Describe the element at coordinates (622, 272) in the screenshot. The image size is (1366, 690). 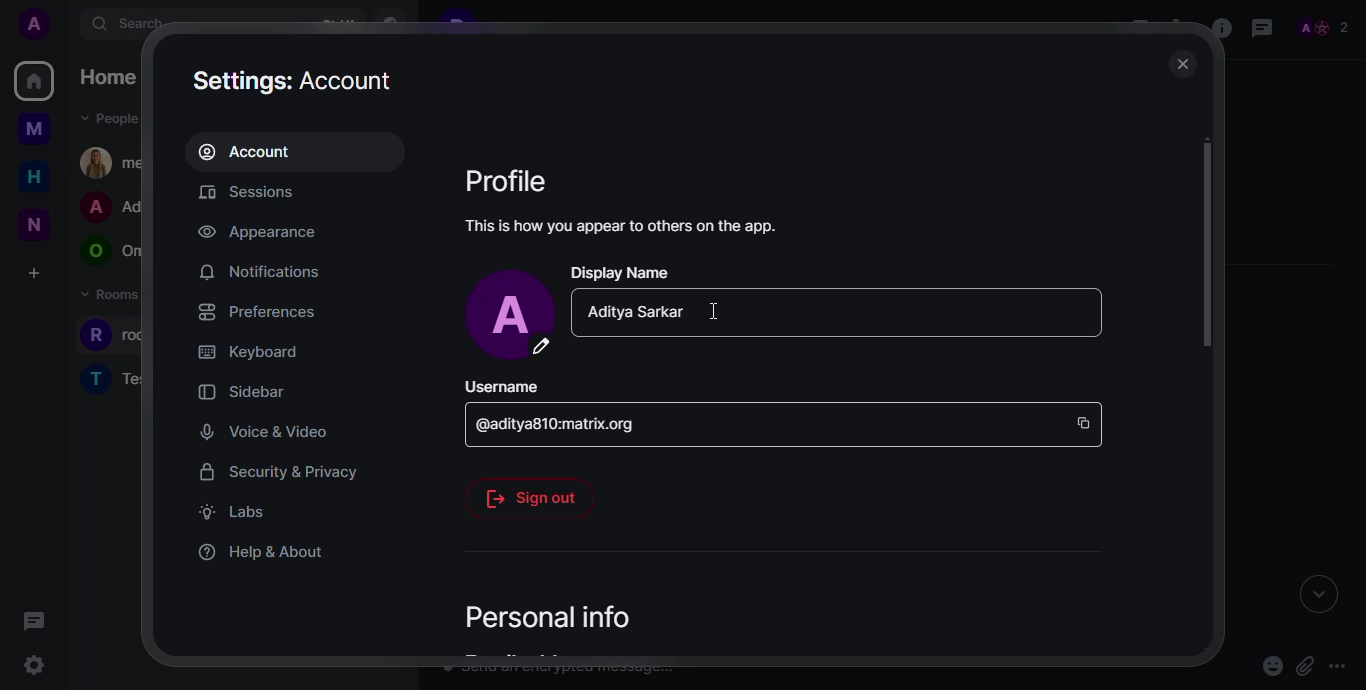
I see `display name` at that location.